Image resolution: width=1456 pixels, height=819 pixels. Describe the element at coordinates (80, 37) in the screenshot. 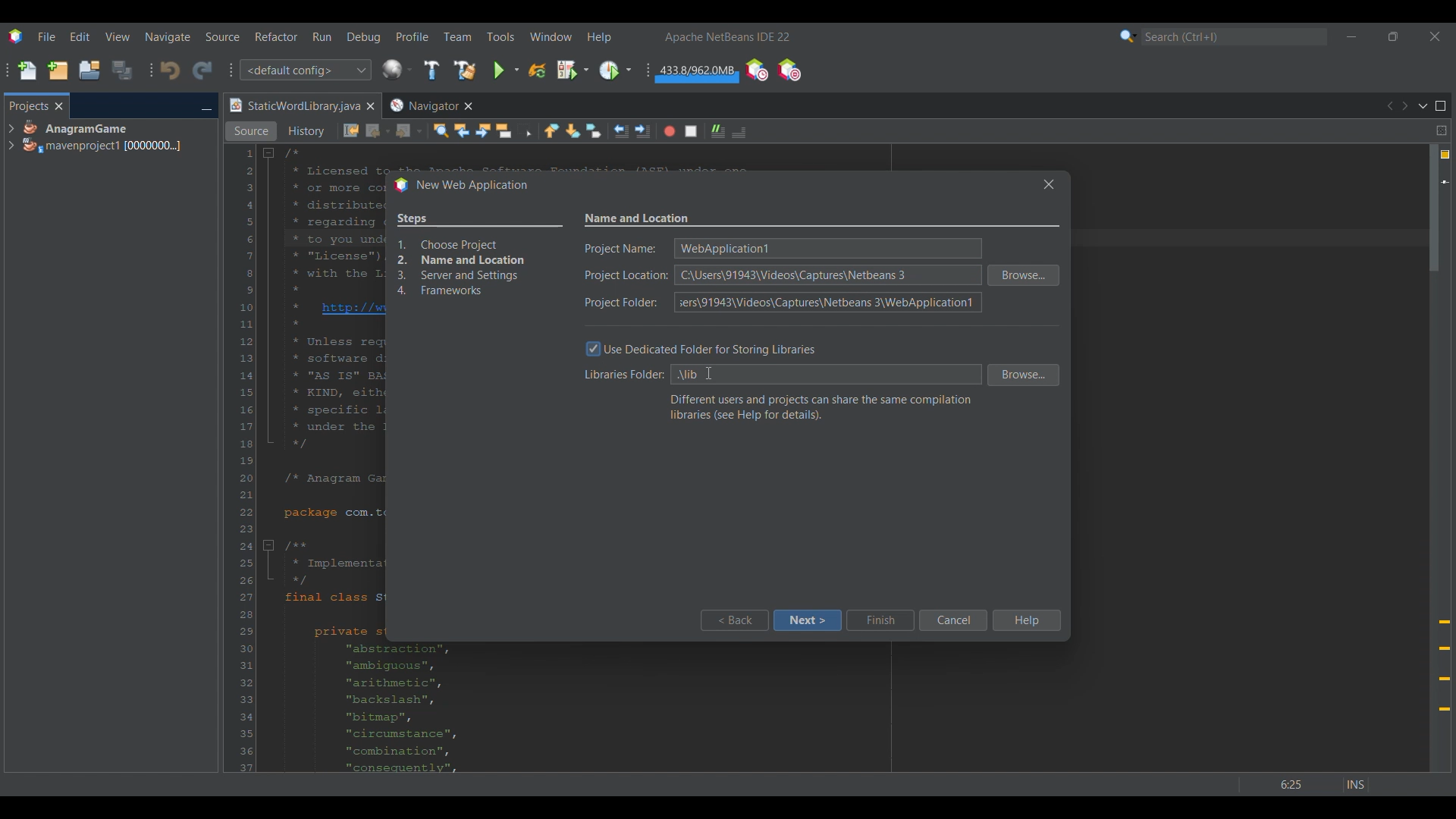

I see `Edit menu` at that location.